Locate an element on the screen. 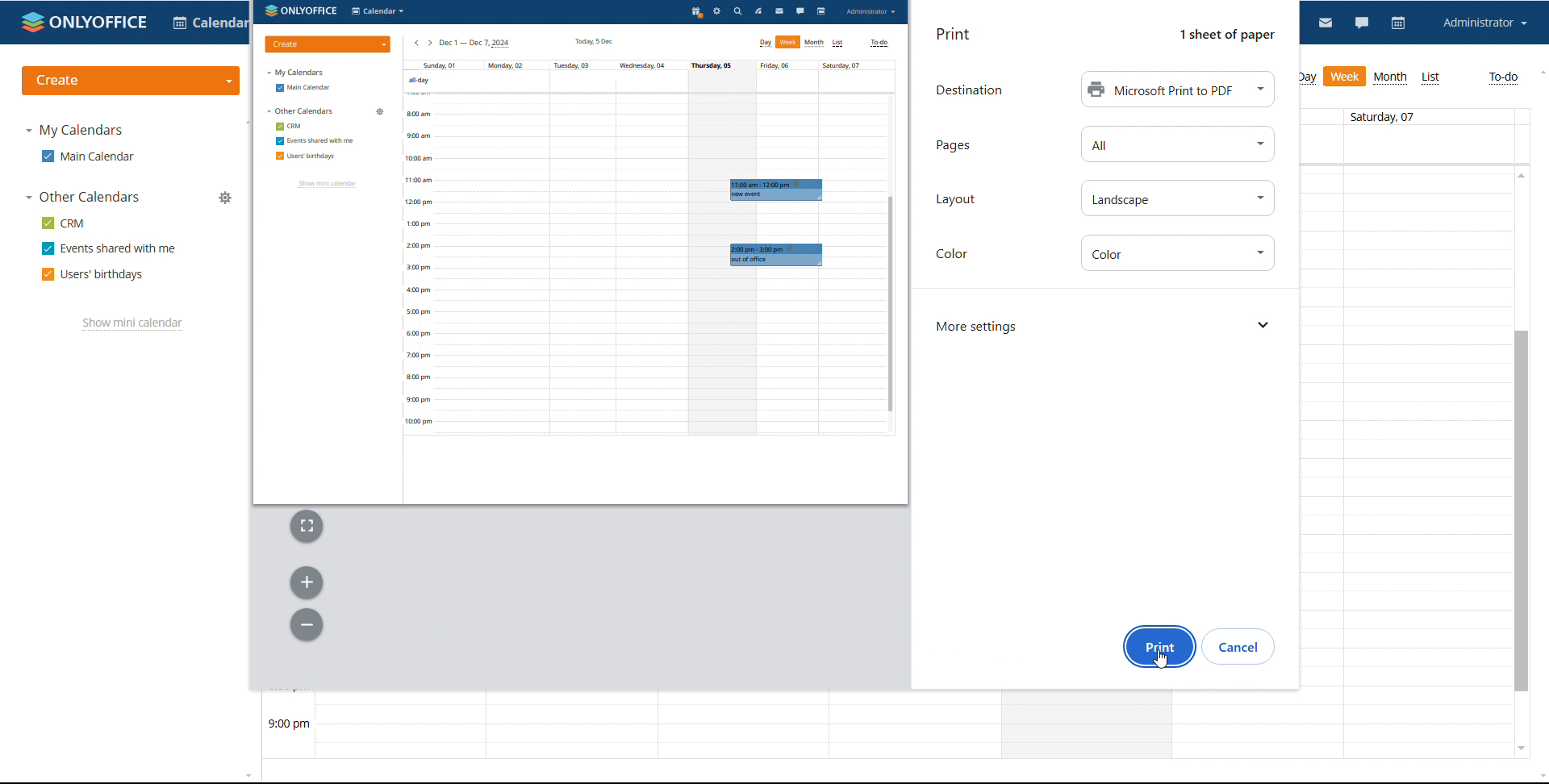 The height and width of the screenshot is (784, 1549). main calendar is located at coordinates (90, 156).